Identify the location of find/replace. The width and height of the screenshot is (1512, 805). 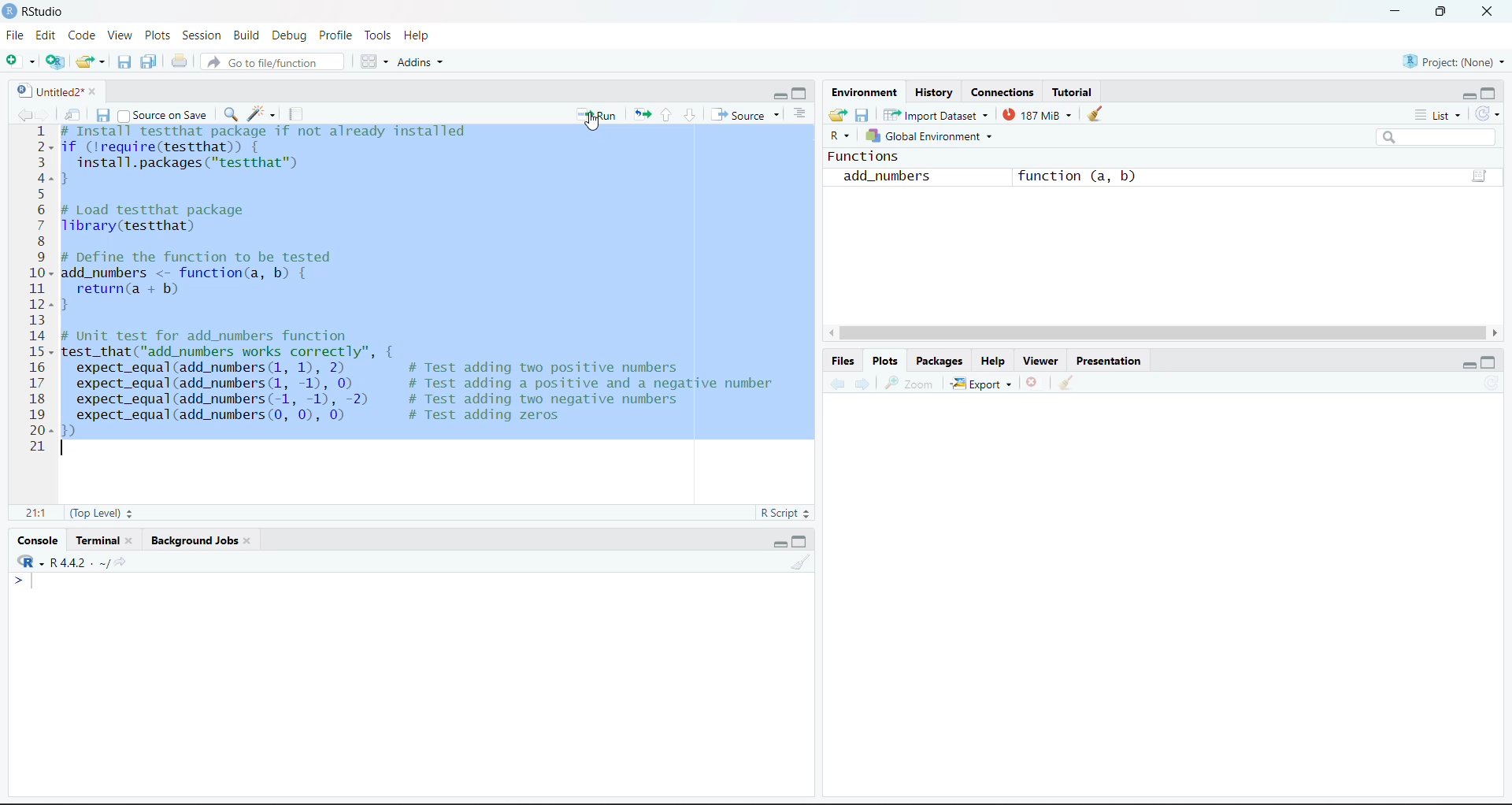
(232, 114).